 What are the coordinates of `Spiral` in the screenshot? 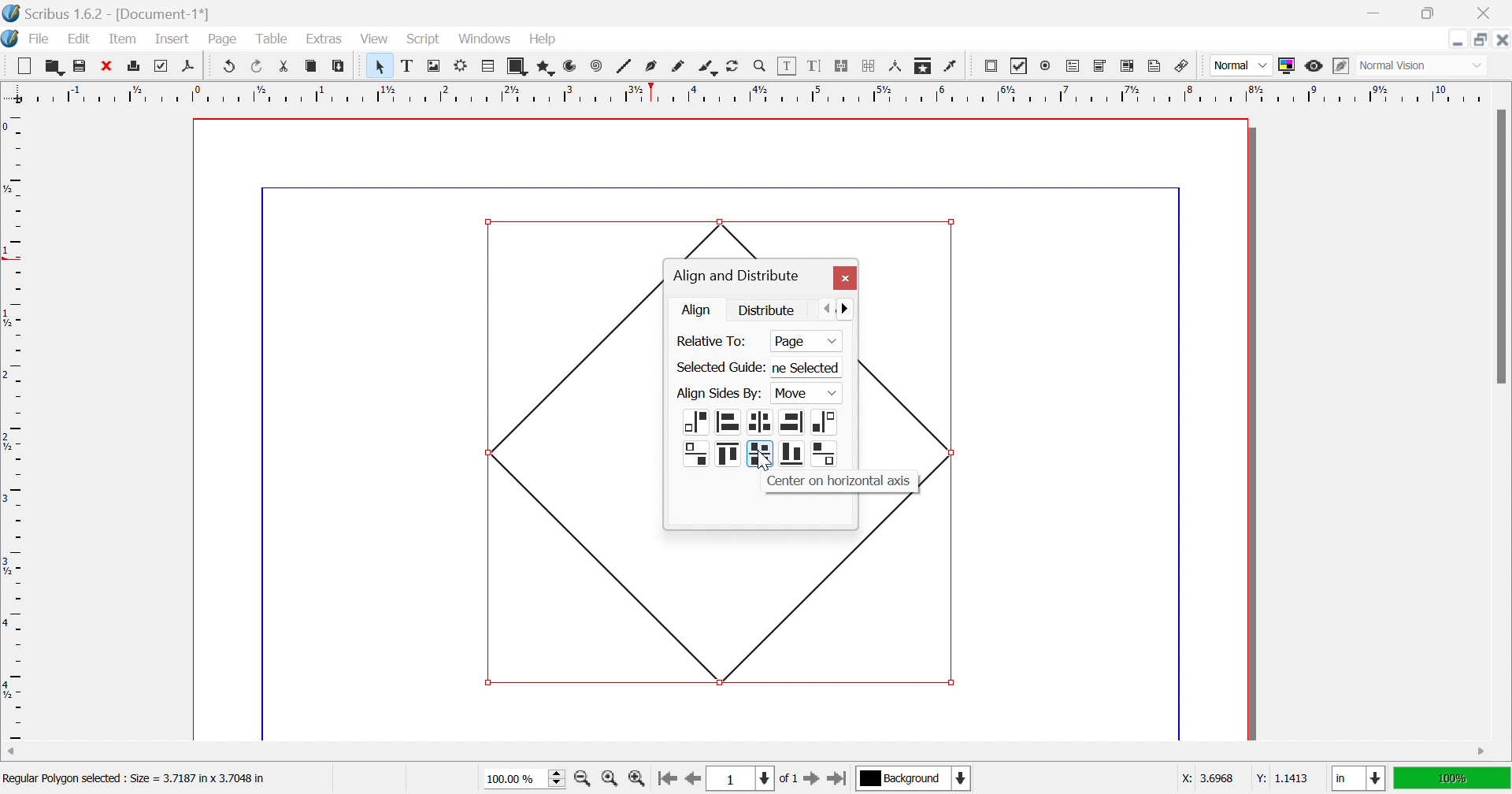 It's located at (600, 65).